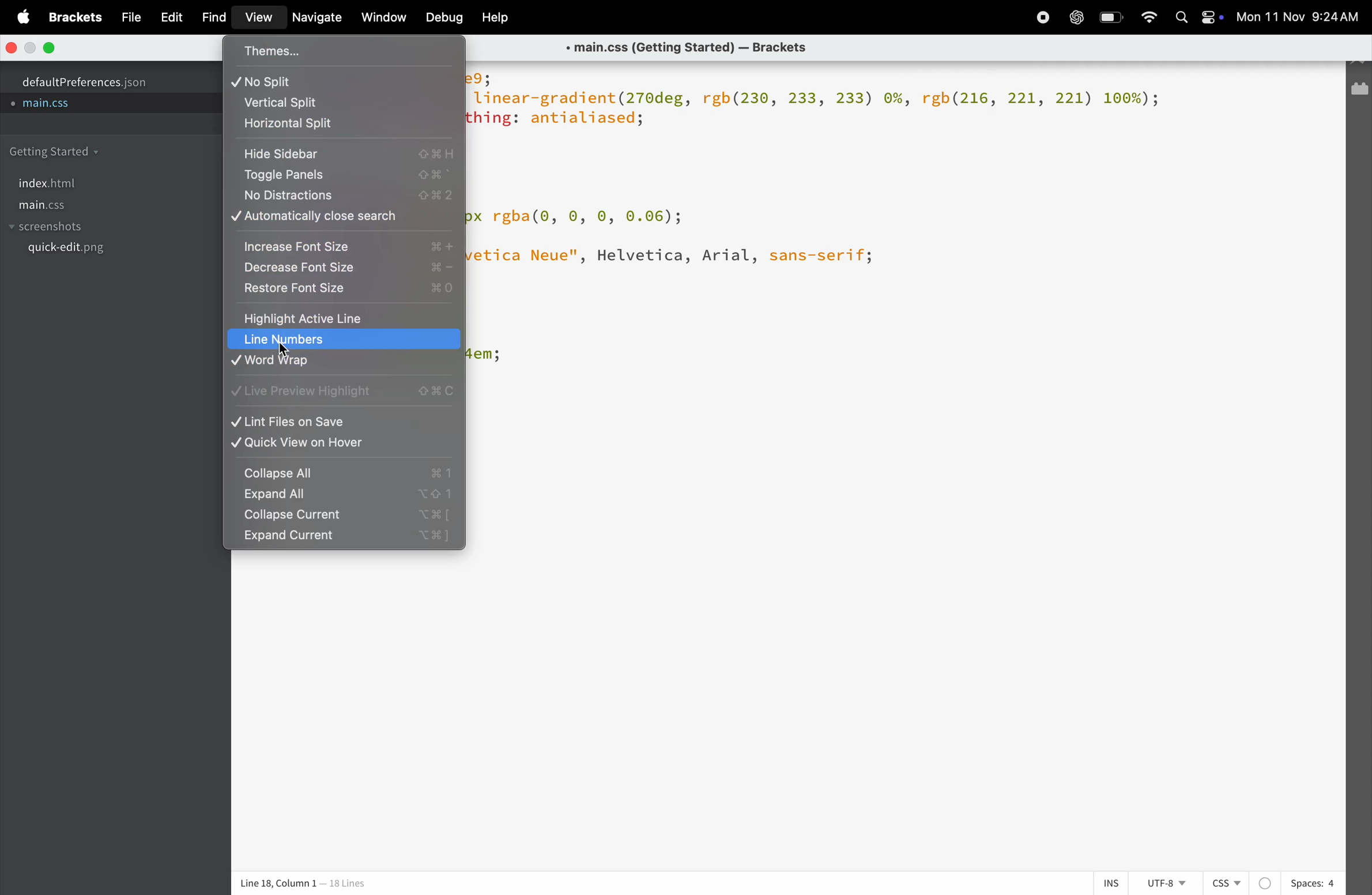 This screenshot has width=1372, height=895. Describe the element at coordinates (345, 268) in the screenshot. I see `decrease font size` at that location.